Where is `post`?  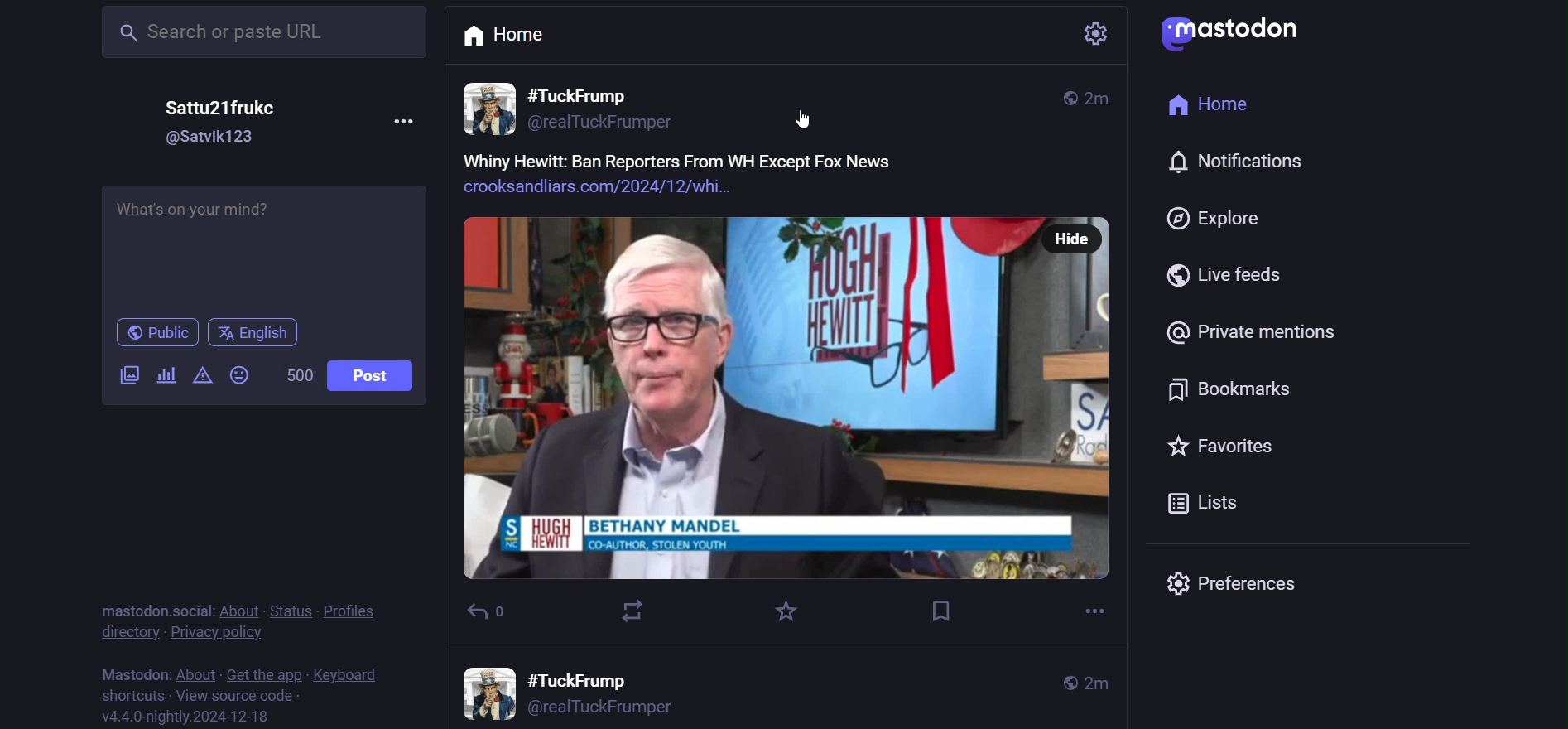
post is located at coordinates (743, 369).